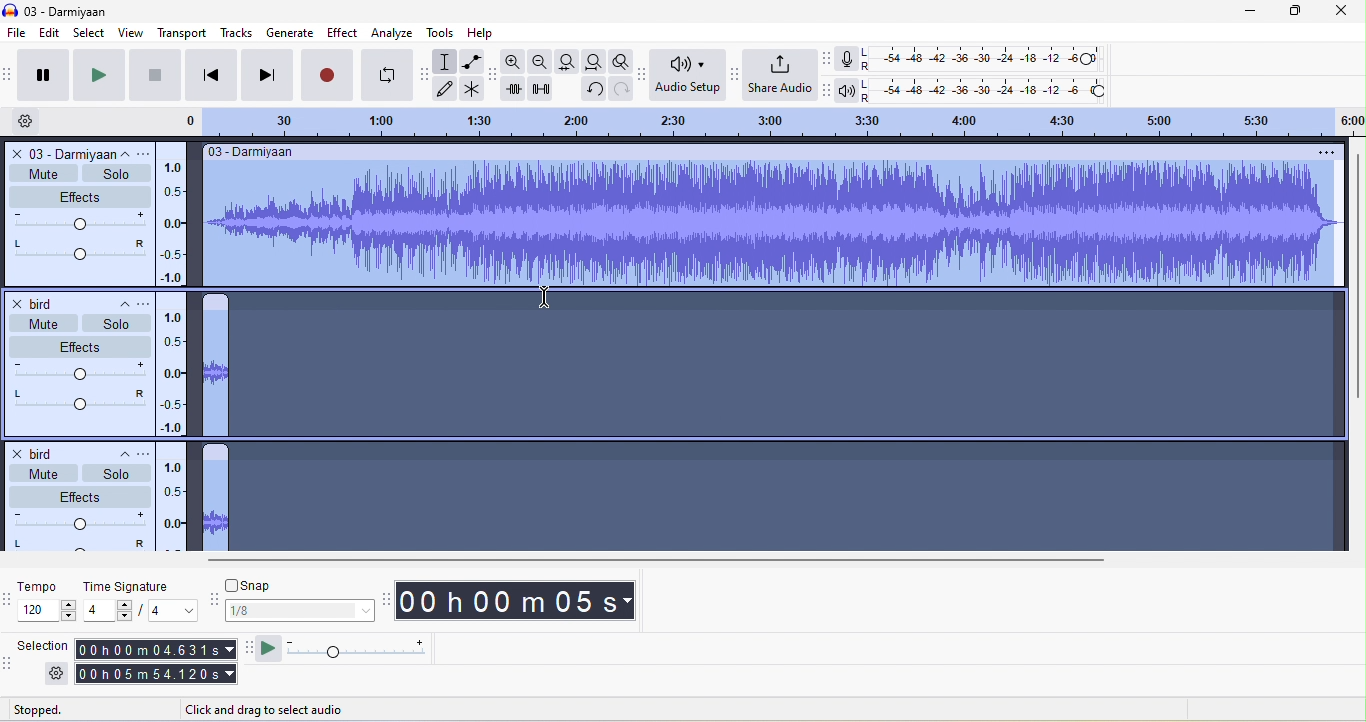 This screenshot has height=722, width=1366. Describe the element at coordinates (46, 75) in the screenshot. I see `pause` at that location.